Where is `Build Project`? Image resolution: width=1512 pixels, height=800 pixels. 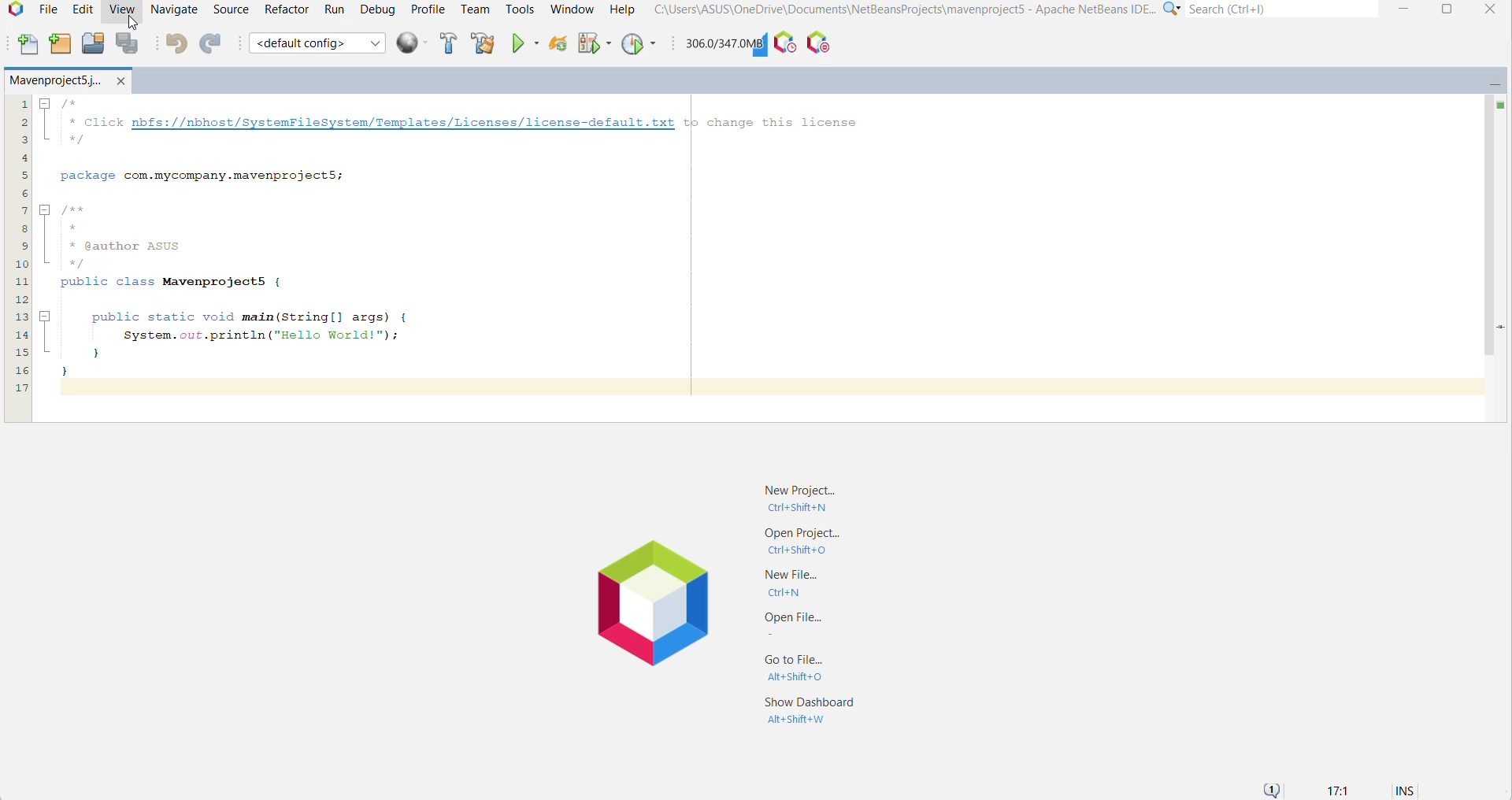
Build Project is located at coordinates (449, 44).